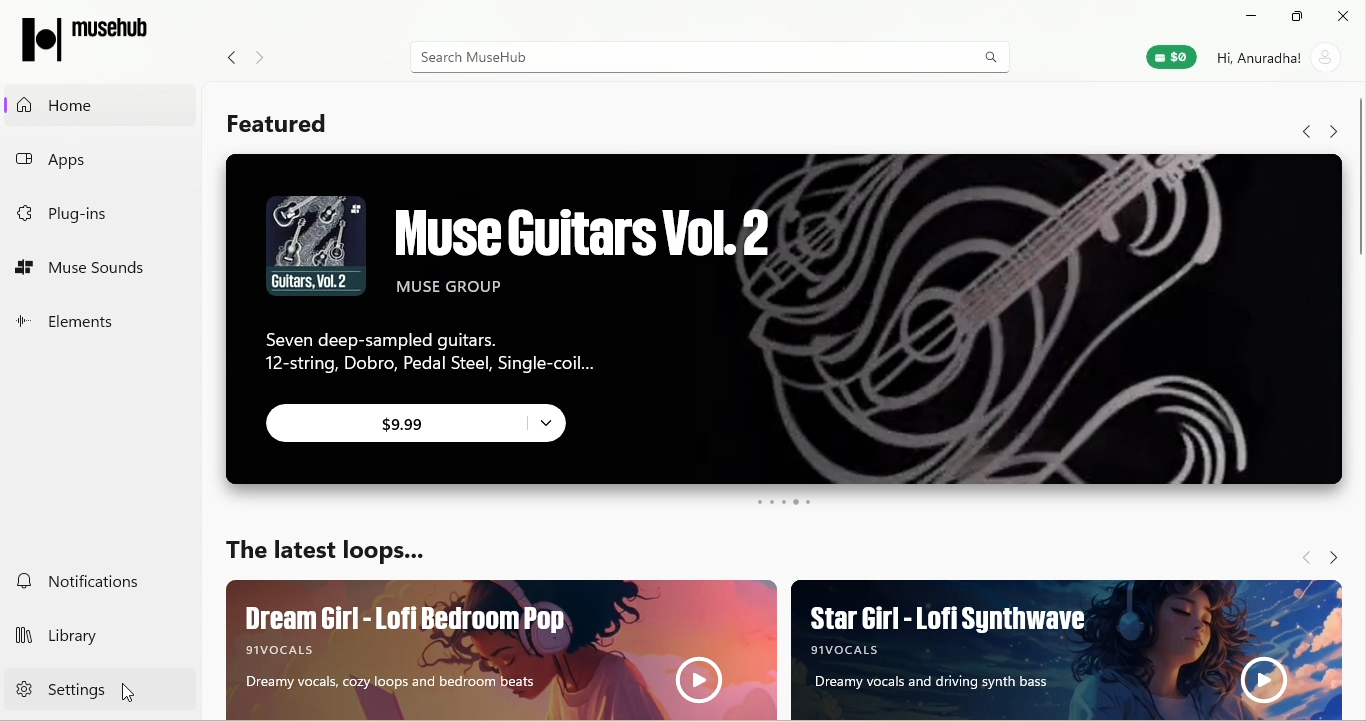  What do you see at coordinates (133, 692) in the screenshot?
I see `cursor` at bounding box center [133, 692].